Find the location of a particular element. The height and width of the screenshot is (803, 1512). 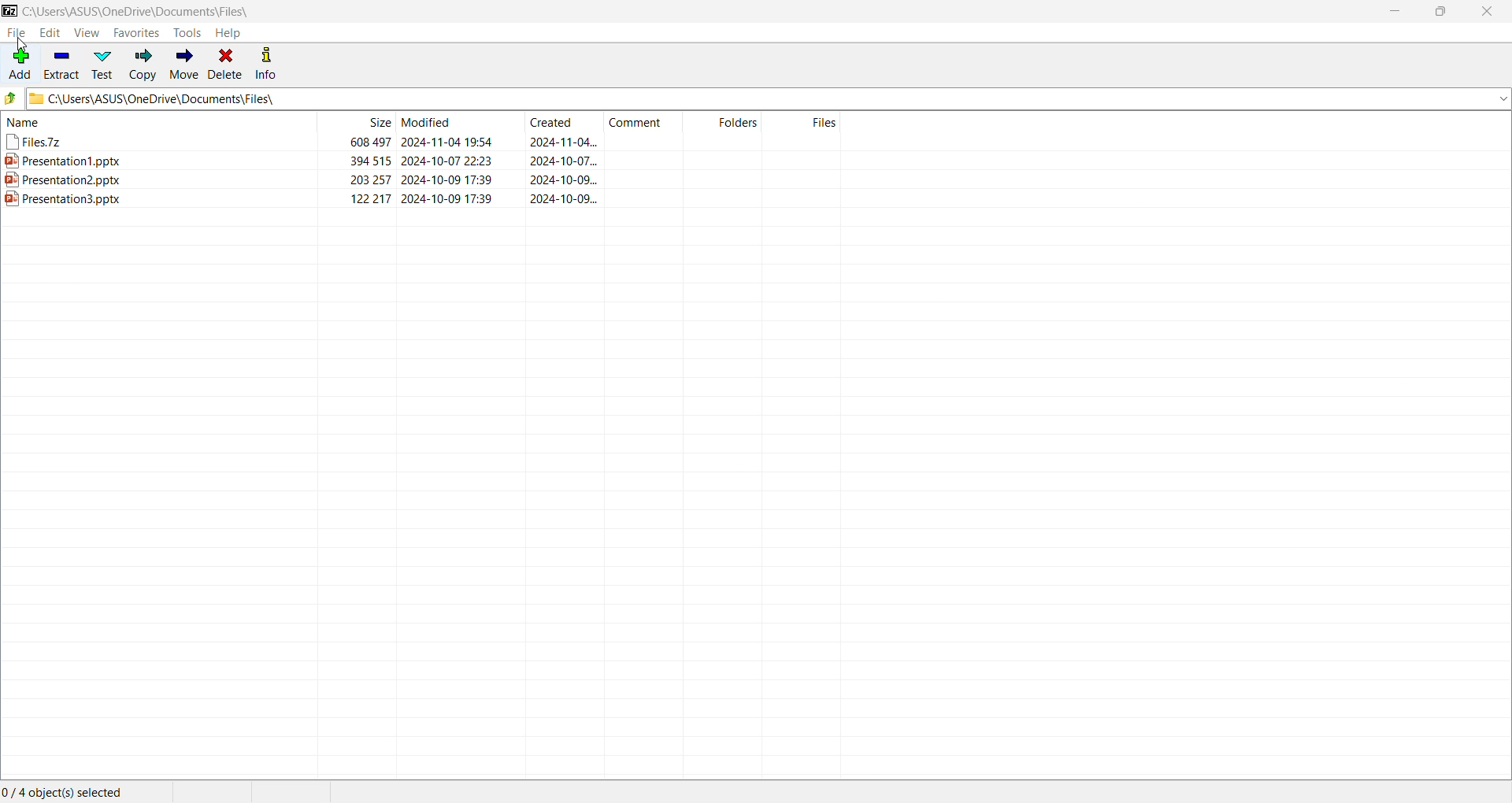

File is located at coordinates (17, 33).